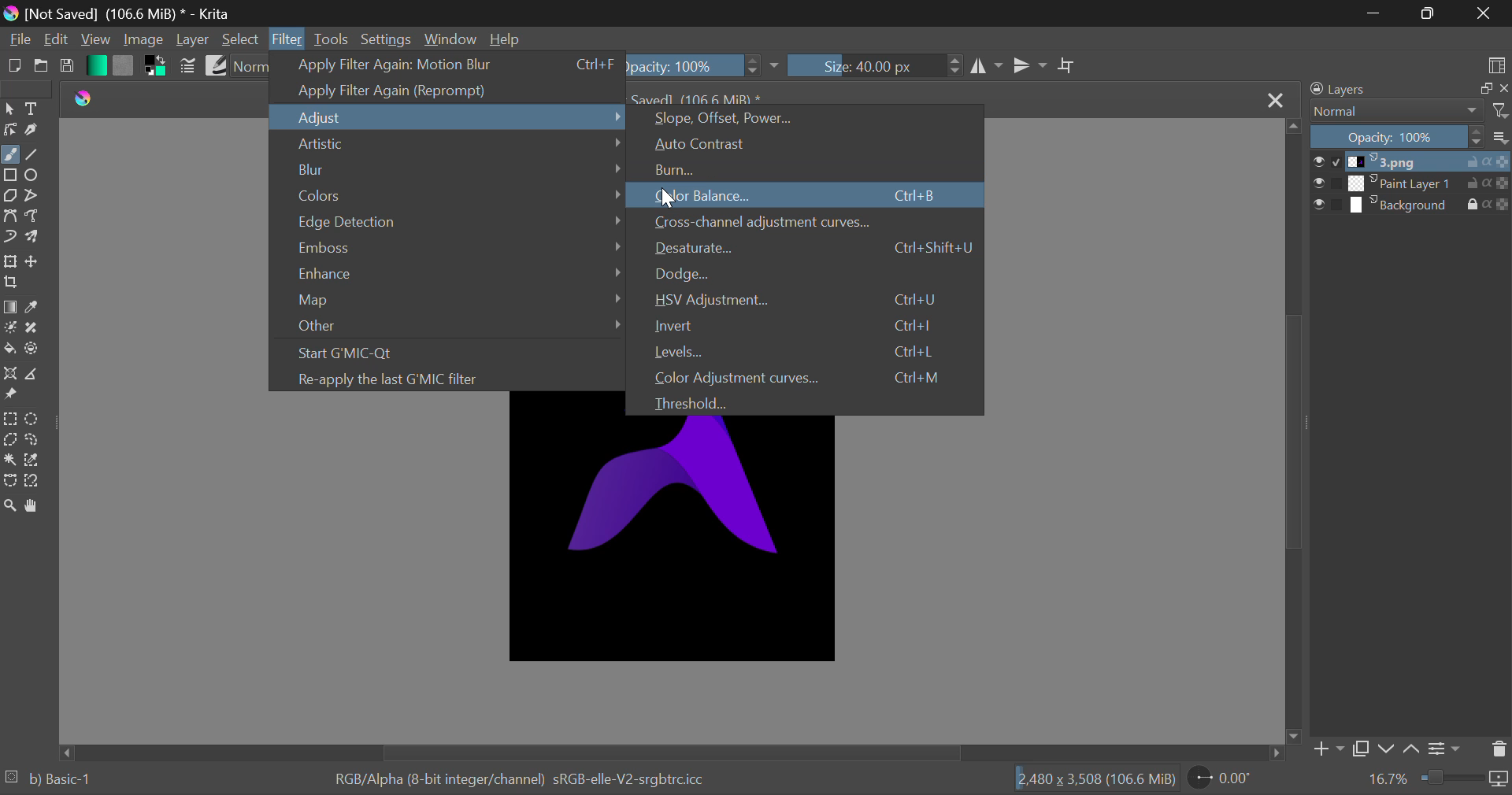 This screenshot has width=1512, height=795. What do you see at coordinates (32, 198) in the screenshot?
I see `Polylines` at bounding box center [32, 198].